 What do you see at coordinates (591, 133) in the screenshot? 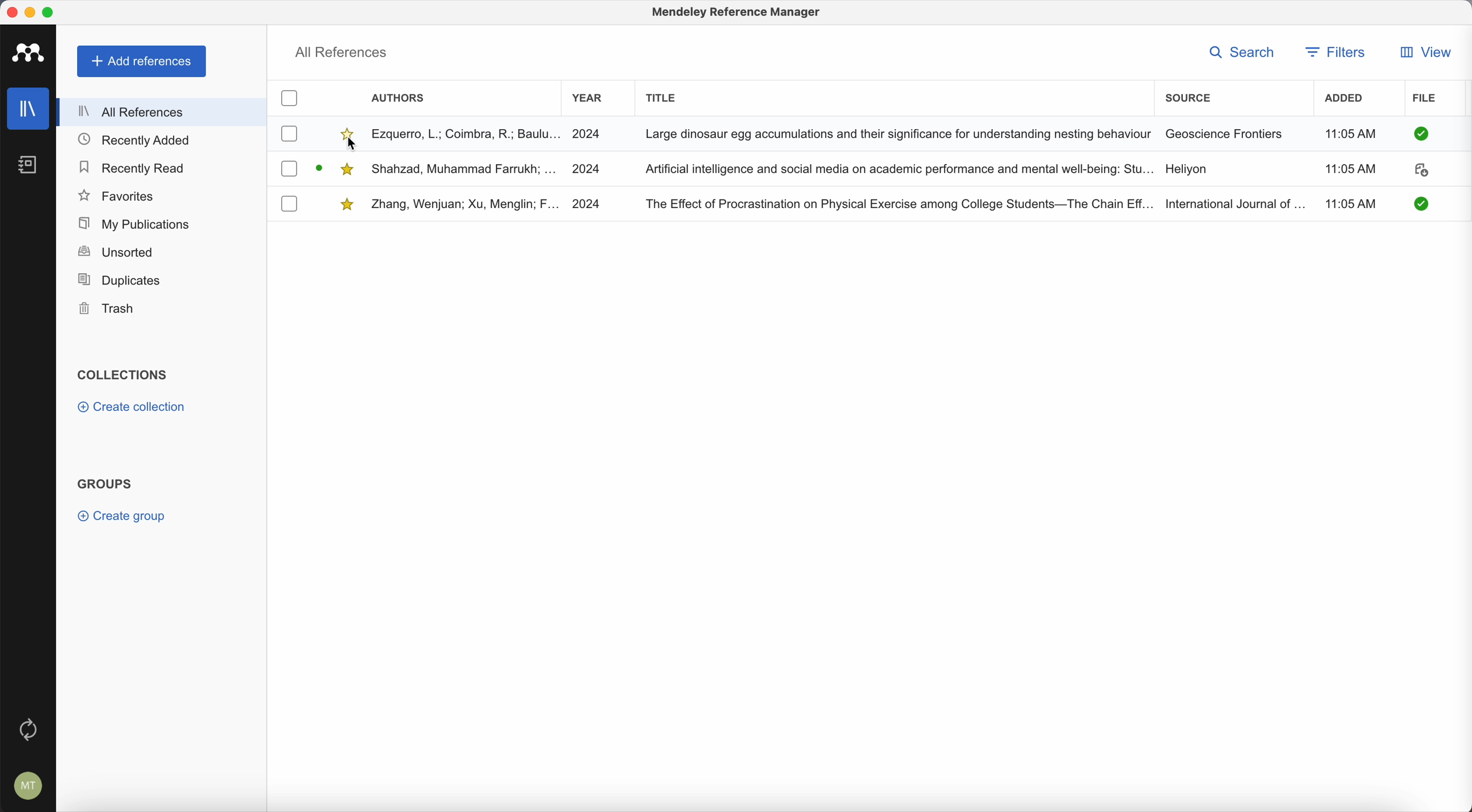
I see `2024` at bounding box center [591, 133].